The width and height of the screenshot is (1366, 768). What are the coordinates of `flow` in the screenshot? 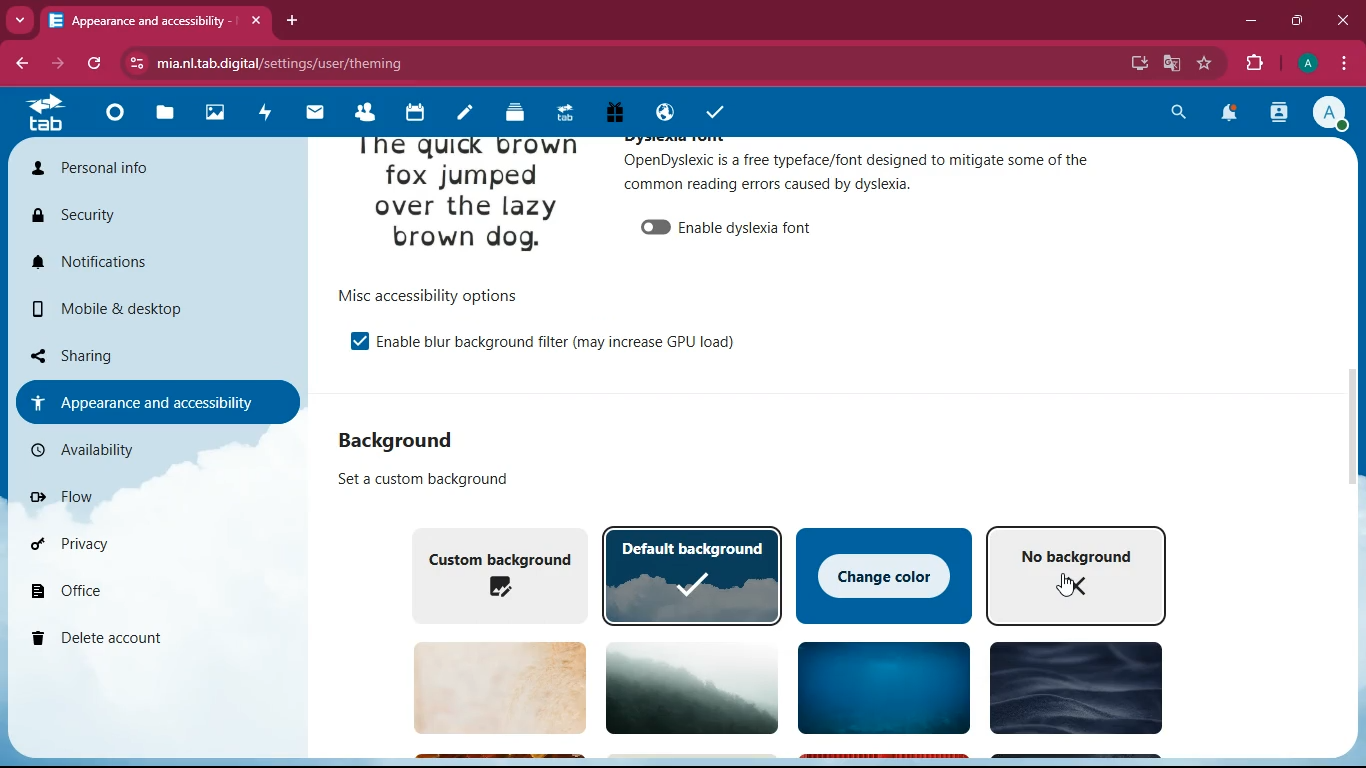 It's located at (143, 496).